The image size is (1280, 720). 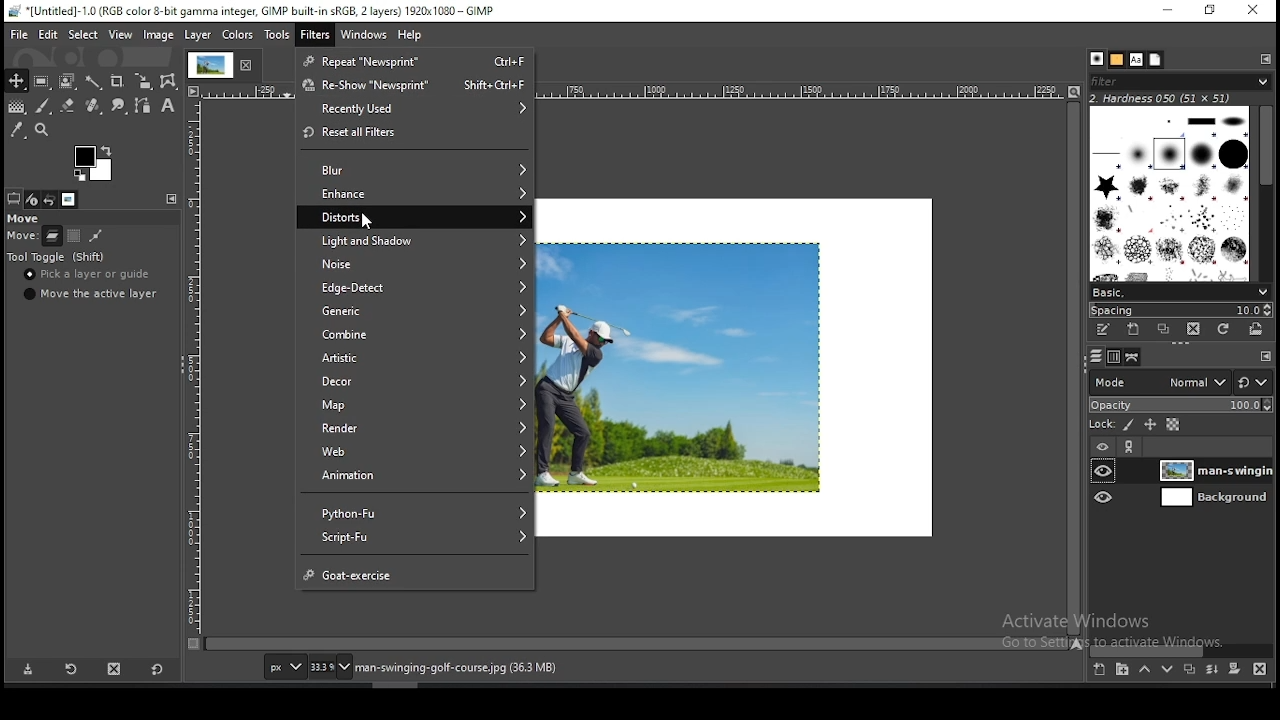 I want to click on restore, so click(x=1212, y=11).